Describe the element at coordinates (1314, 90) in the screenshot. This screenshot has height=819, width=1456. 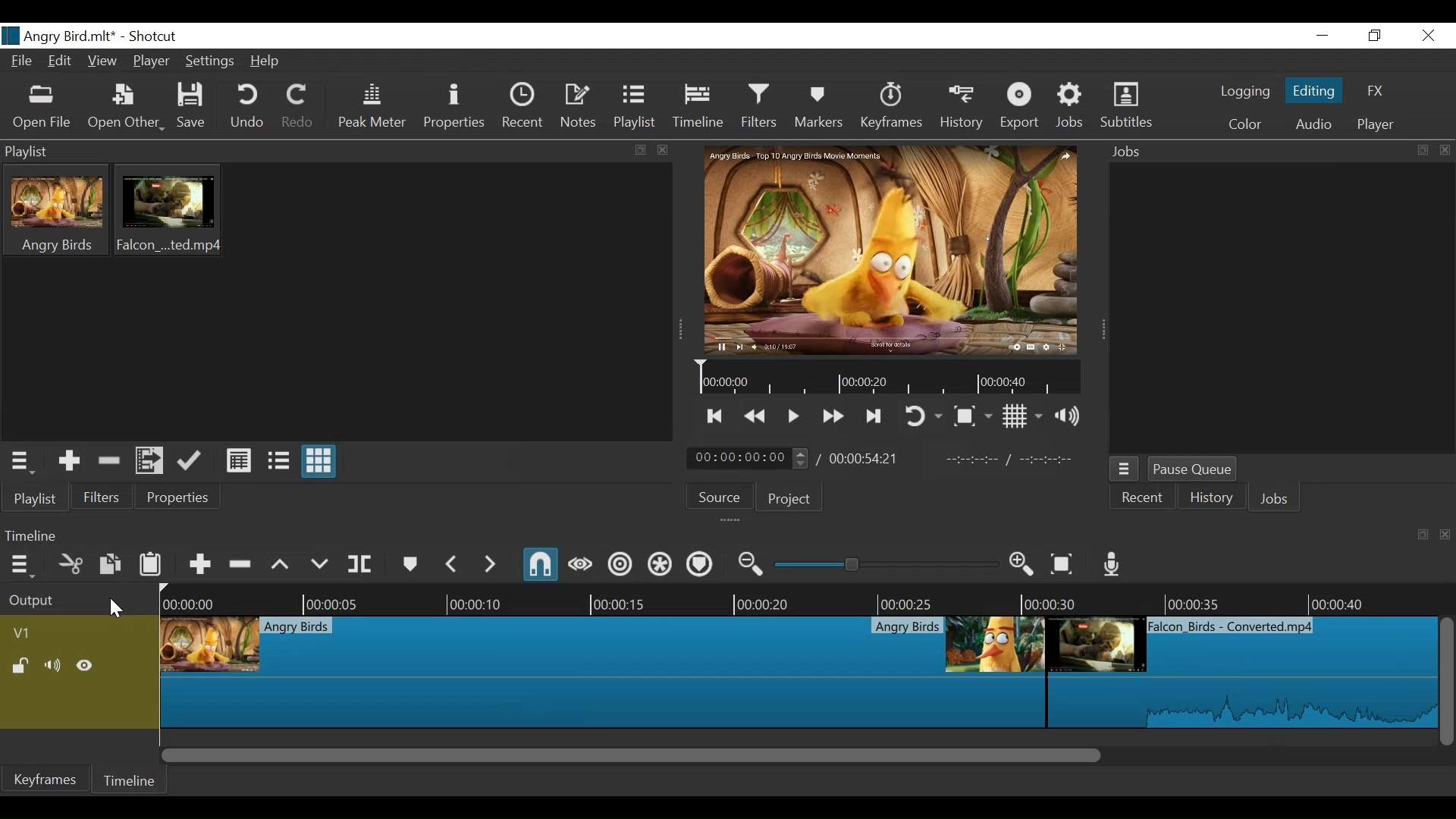
I see `Editing` at that location.